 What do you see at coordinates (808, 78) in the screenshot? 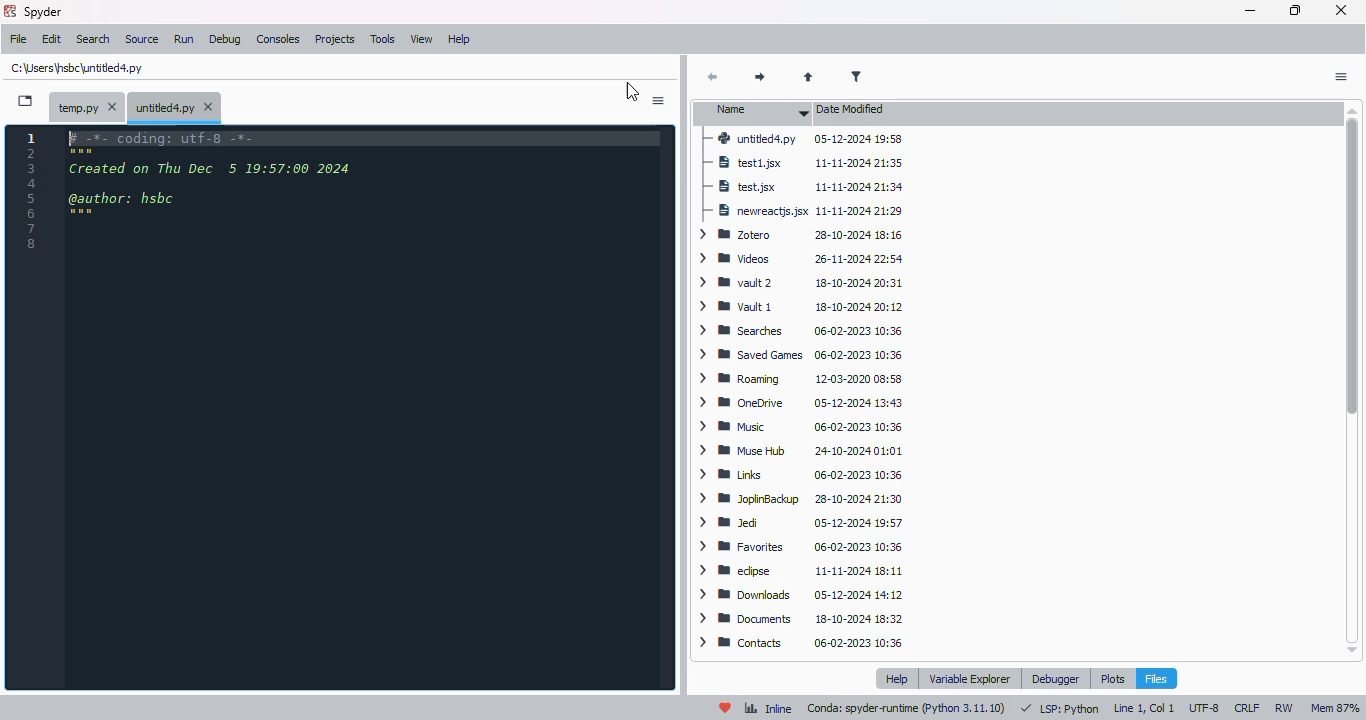
I see `parent` at bounding box center [808, 78].